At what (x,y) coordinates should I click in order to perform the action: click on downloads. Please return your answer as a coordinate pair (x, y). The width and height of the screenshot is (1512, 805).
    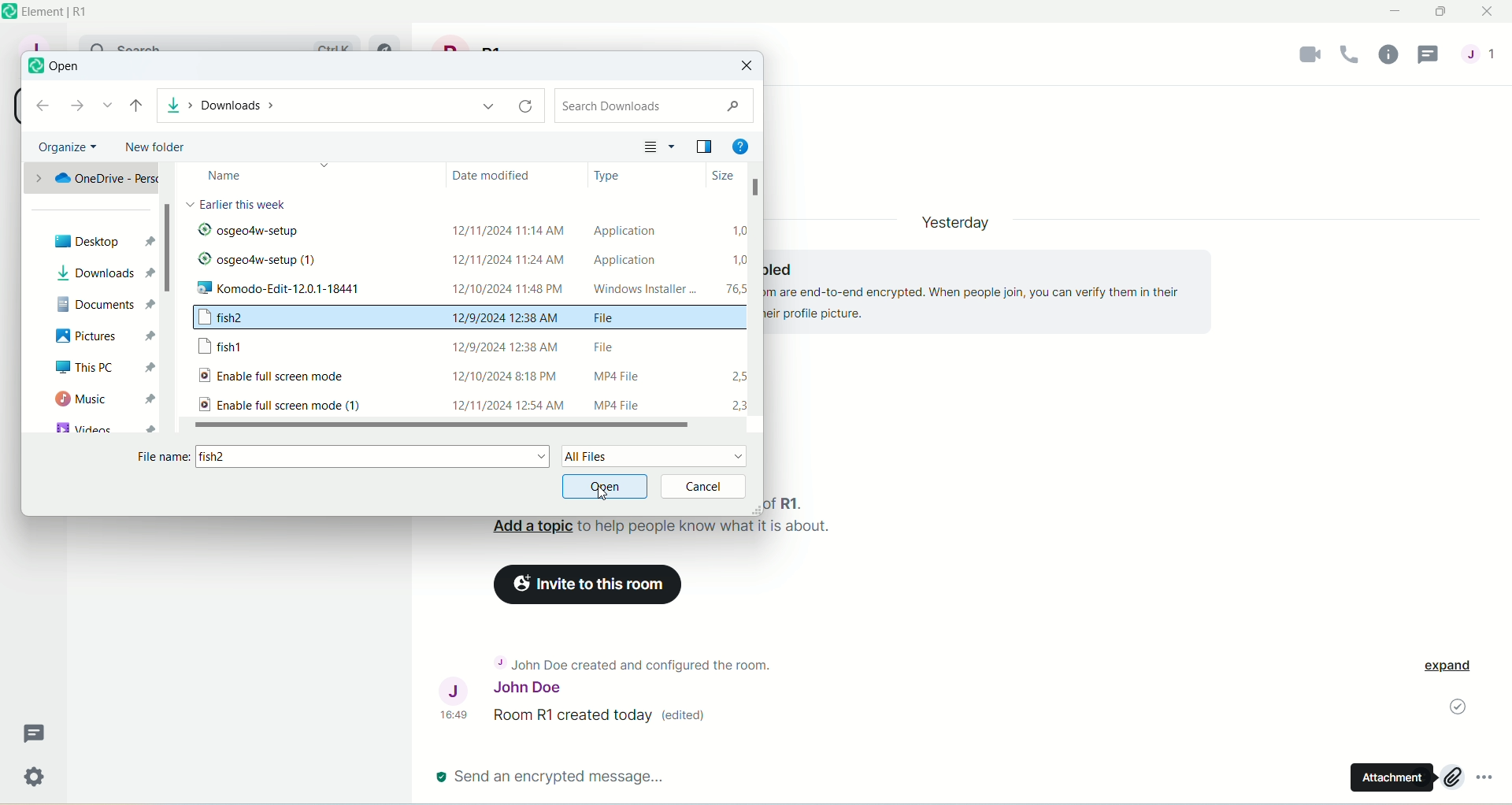
    Looking at the image, I should click on (106, 273).